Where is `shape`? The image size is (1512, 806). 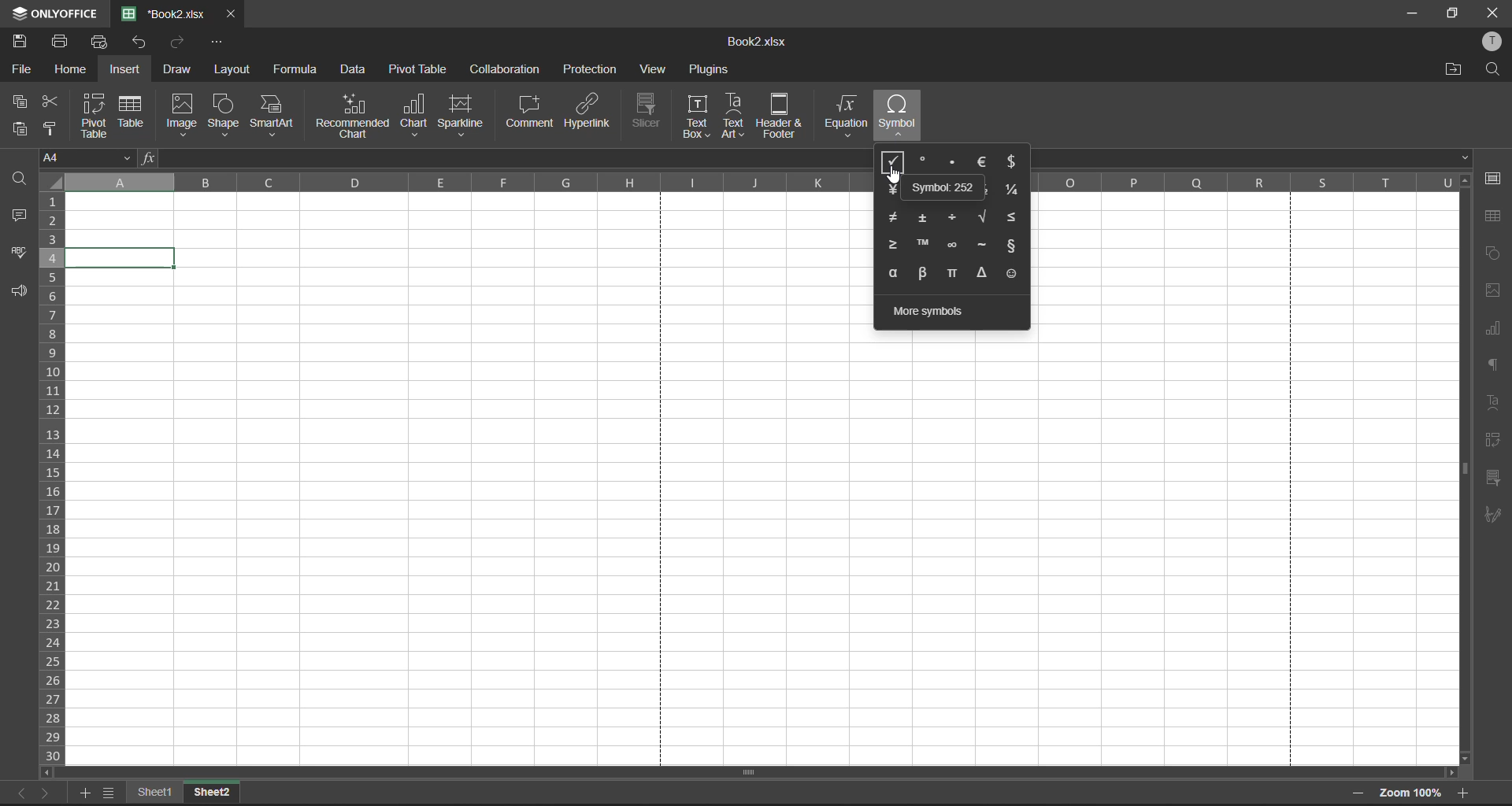 shape is located at coordinates (224, 115).